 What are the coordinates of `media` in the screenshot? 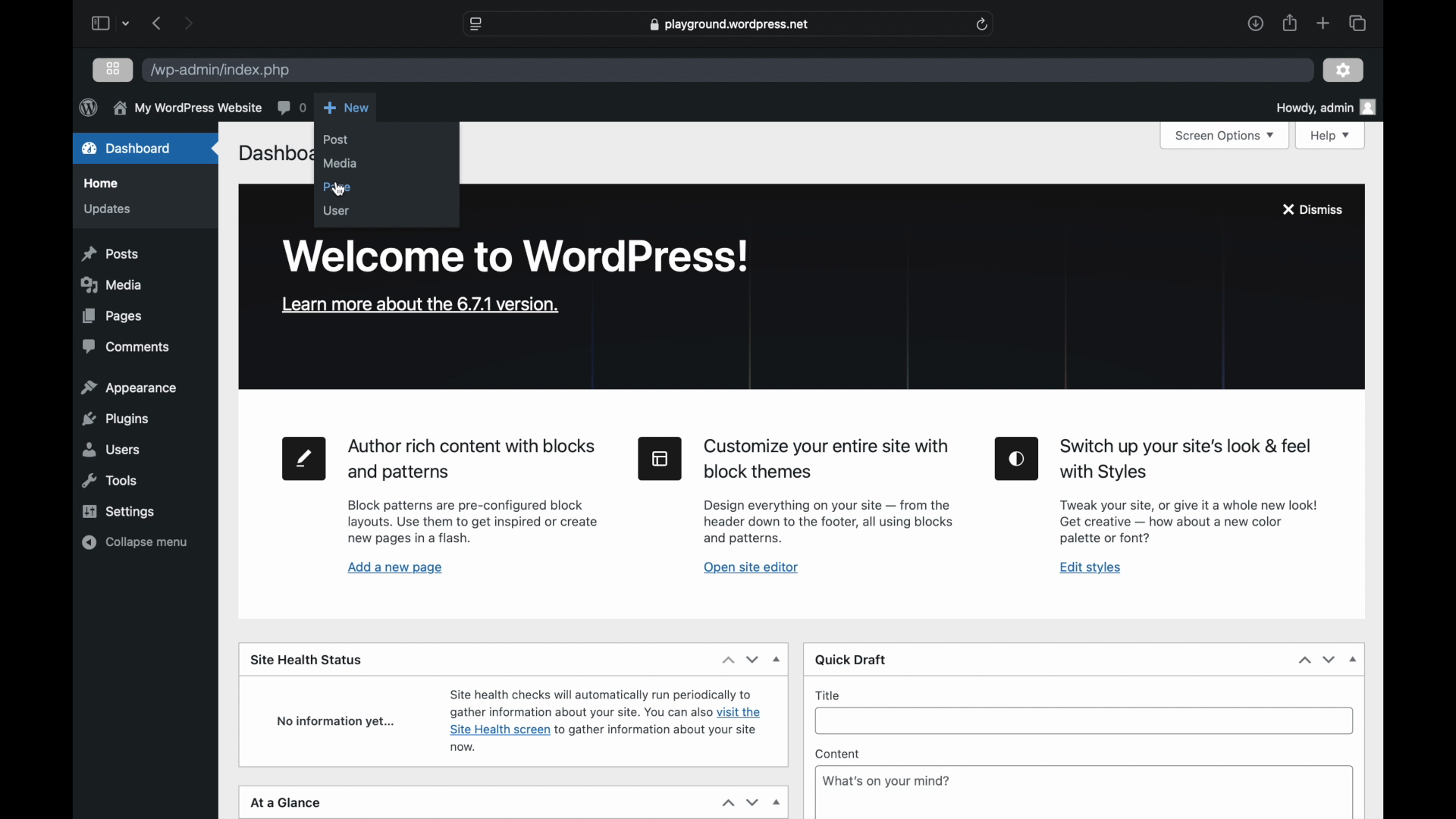 It's located at (112, 285).